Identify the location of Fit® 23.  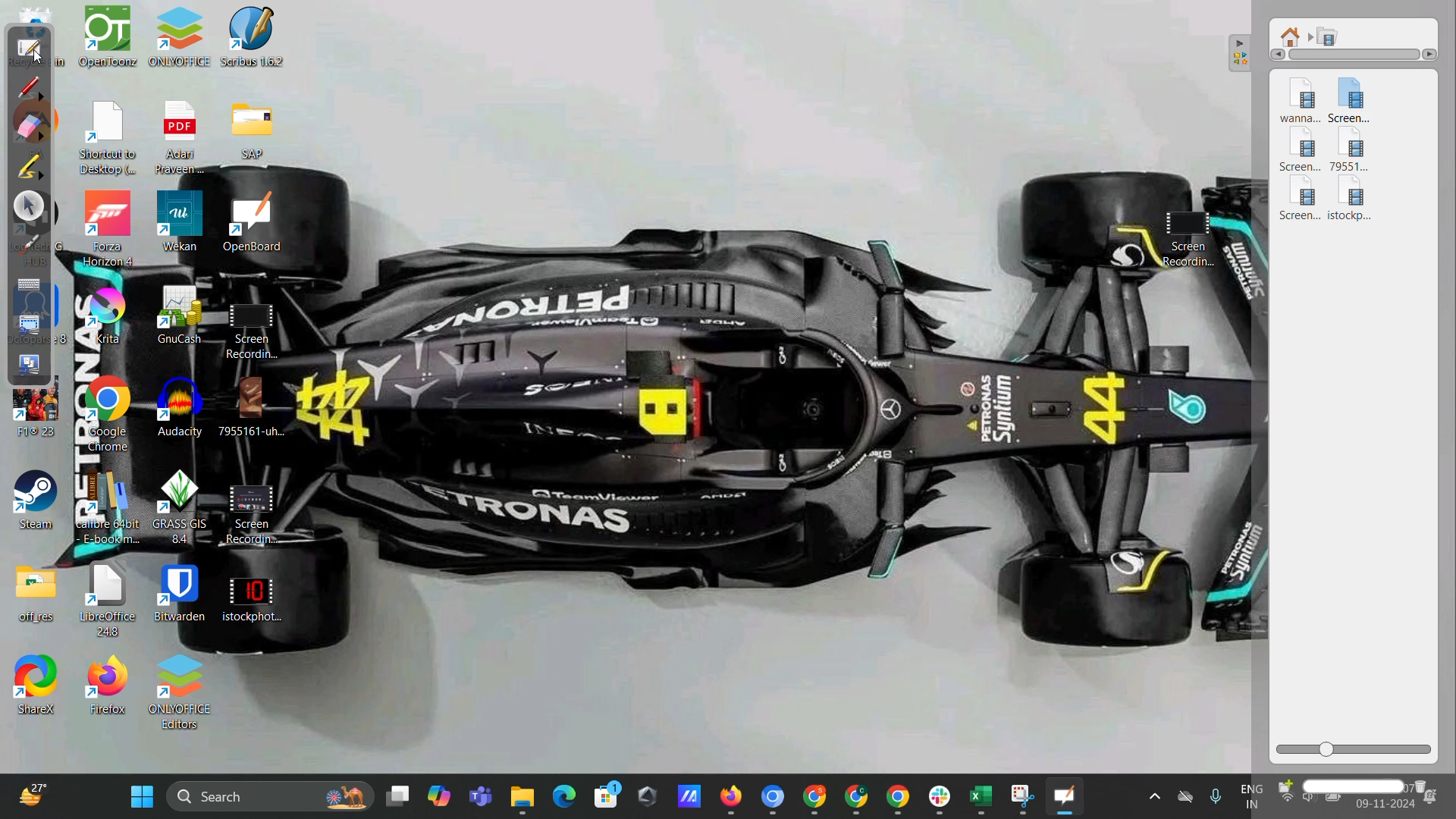
(36, 416).